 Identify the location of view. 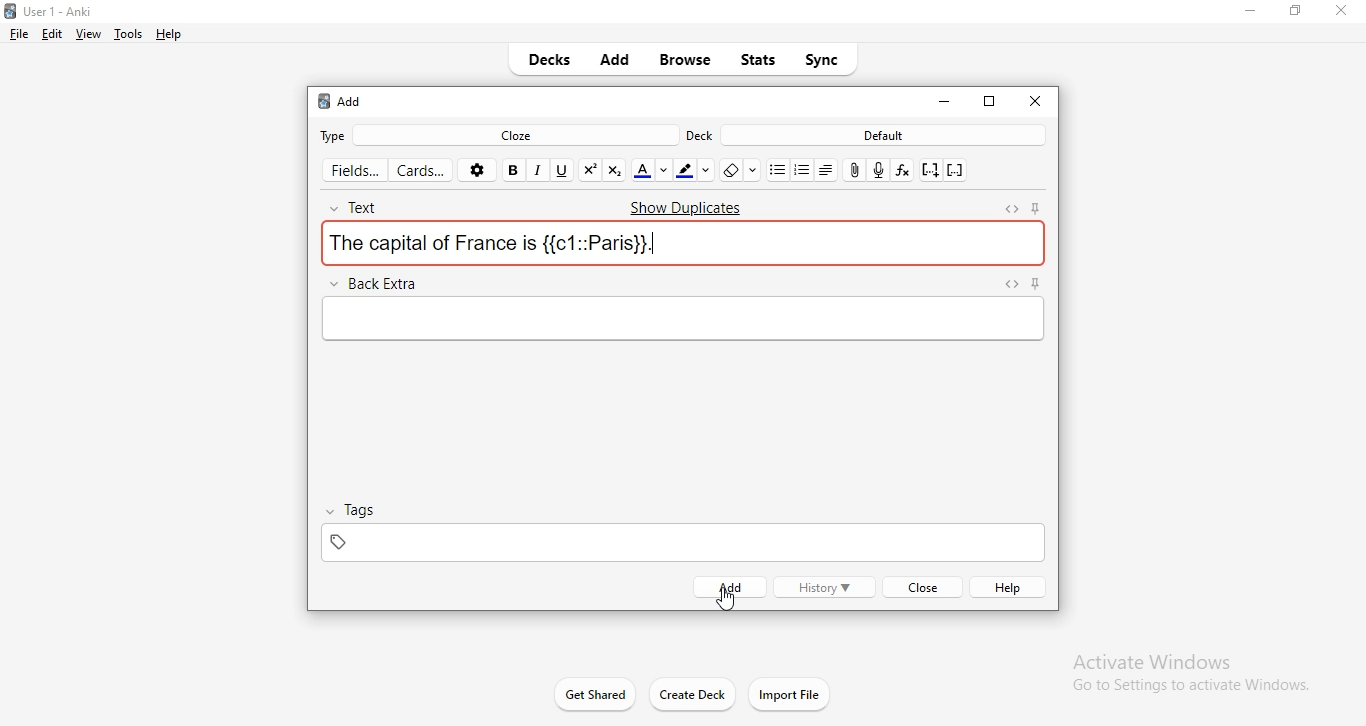
(89, 34).